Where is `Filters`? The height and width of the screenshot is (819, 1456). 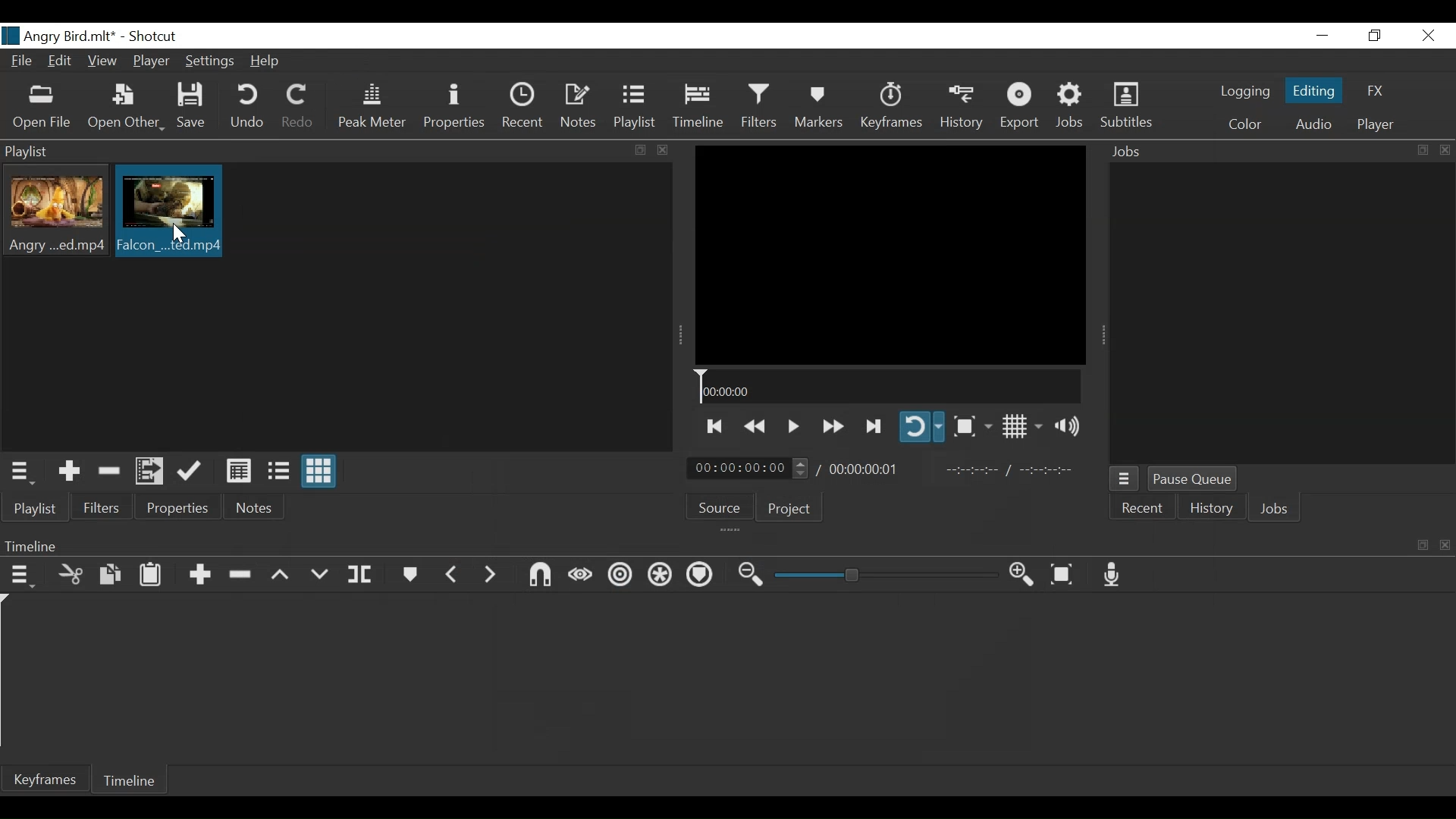
Filters is located at coordinates (99, 507).